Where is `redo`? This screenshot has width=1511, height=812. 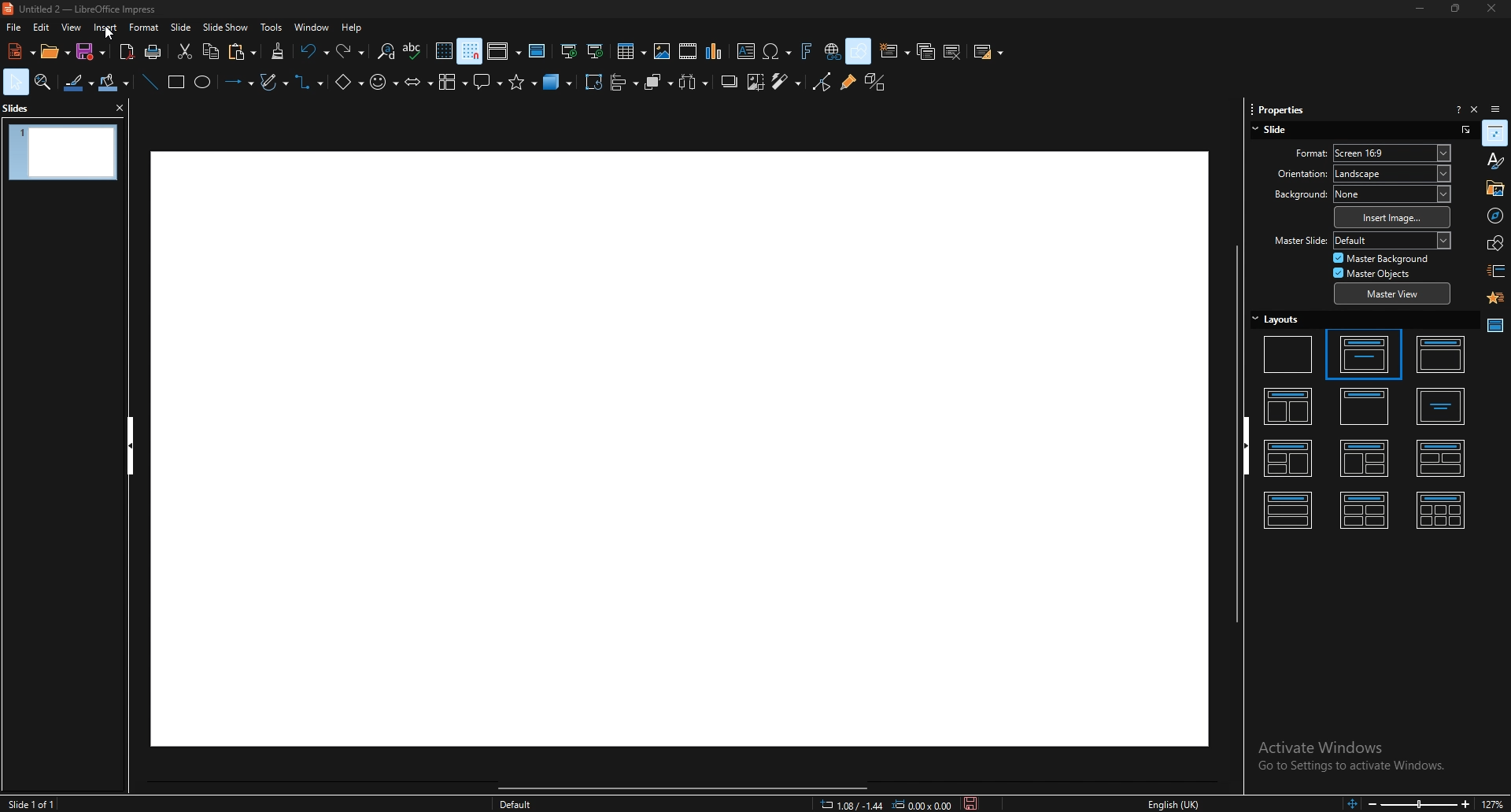 redo is located at coordinates (352, 50).